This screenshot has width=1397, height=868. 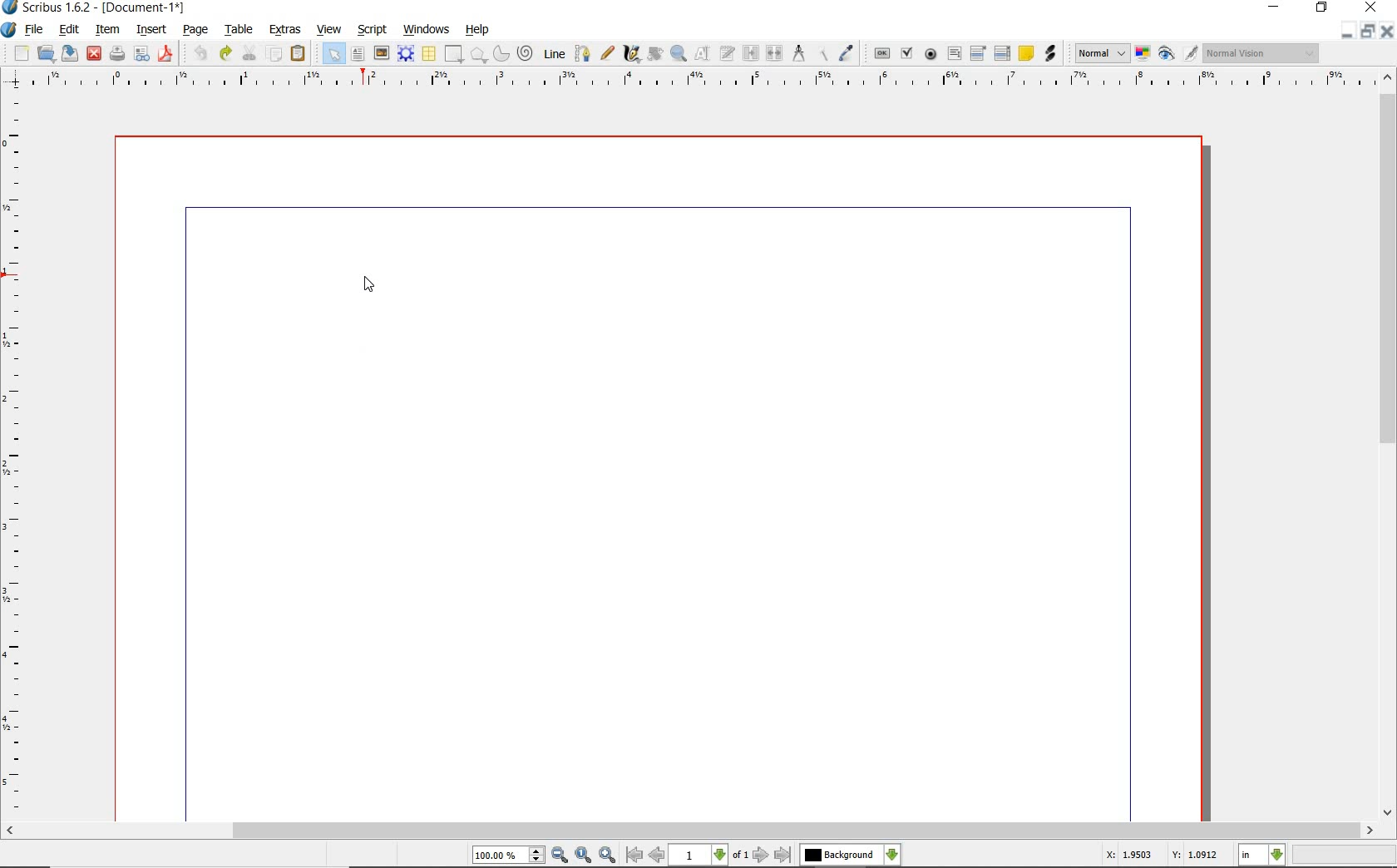 What do you see at coordinates (799, 53) in the screenshot?
I see `measurements` at bounding box center [799, 53].